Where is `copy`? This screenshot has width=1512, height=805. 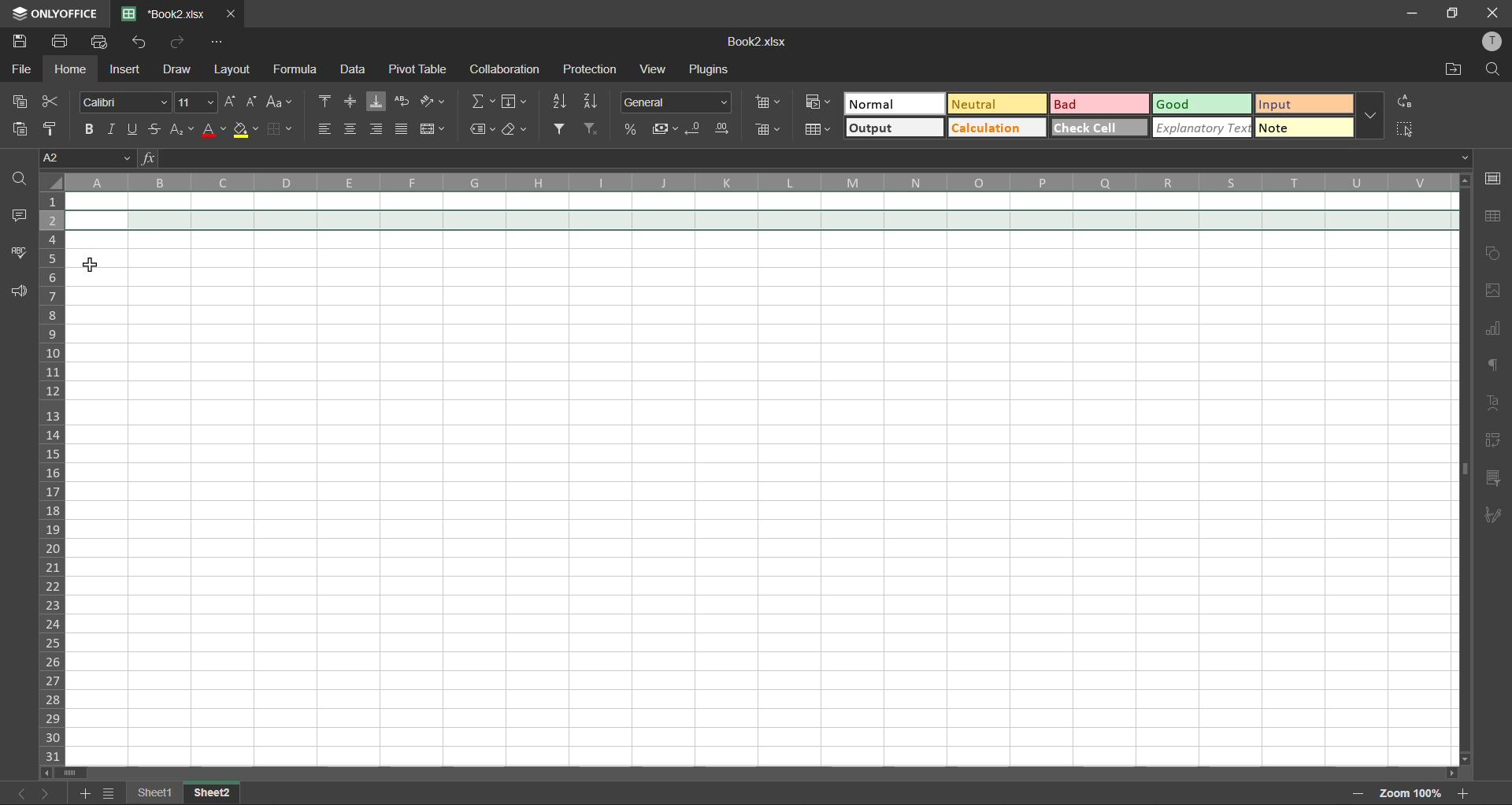
copy is located at coordinates (22, 99).